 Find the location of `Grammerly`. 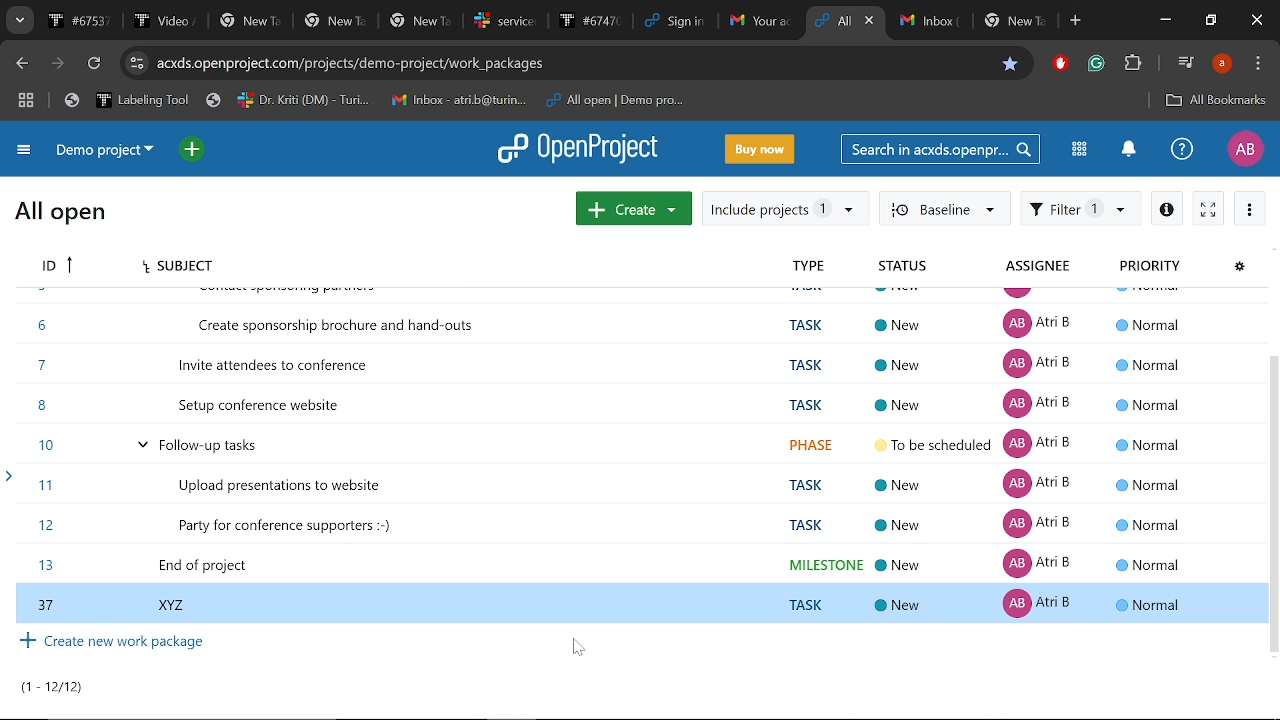

Grammerly is located at coordinates (1096, 65).